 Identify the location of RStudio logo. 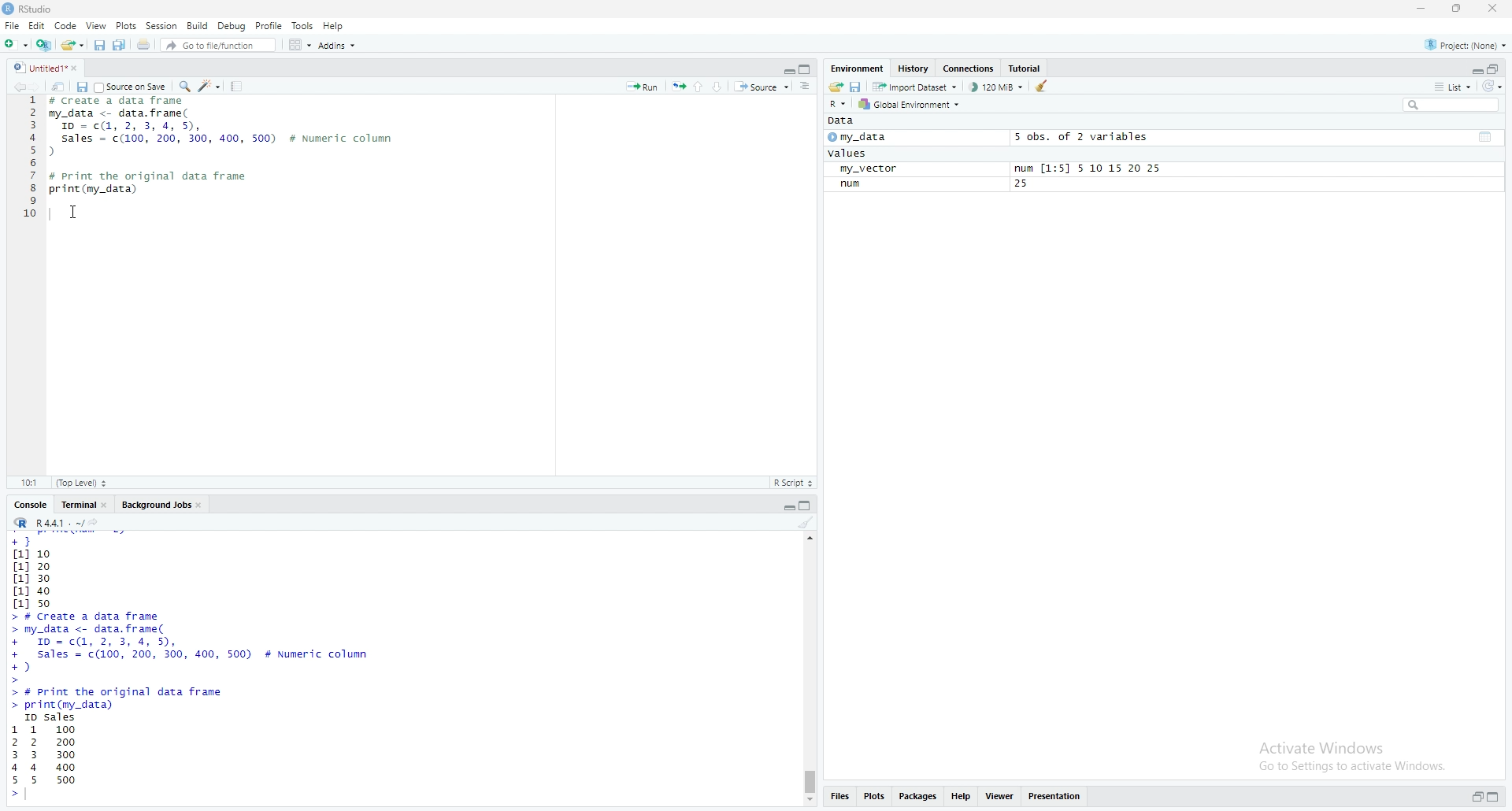
(9, 9).